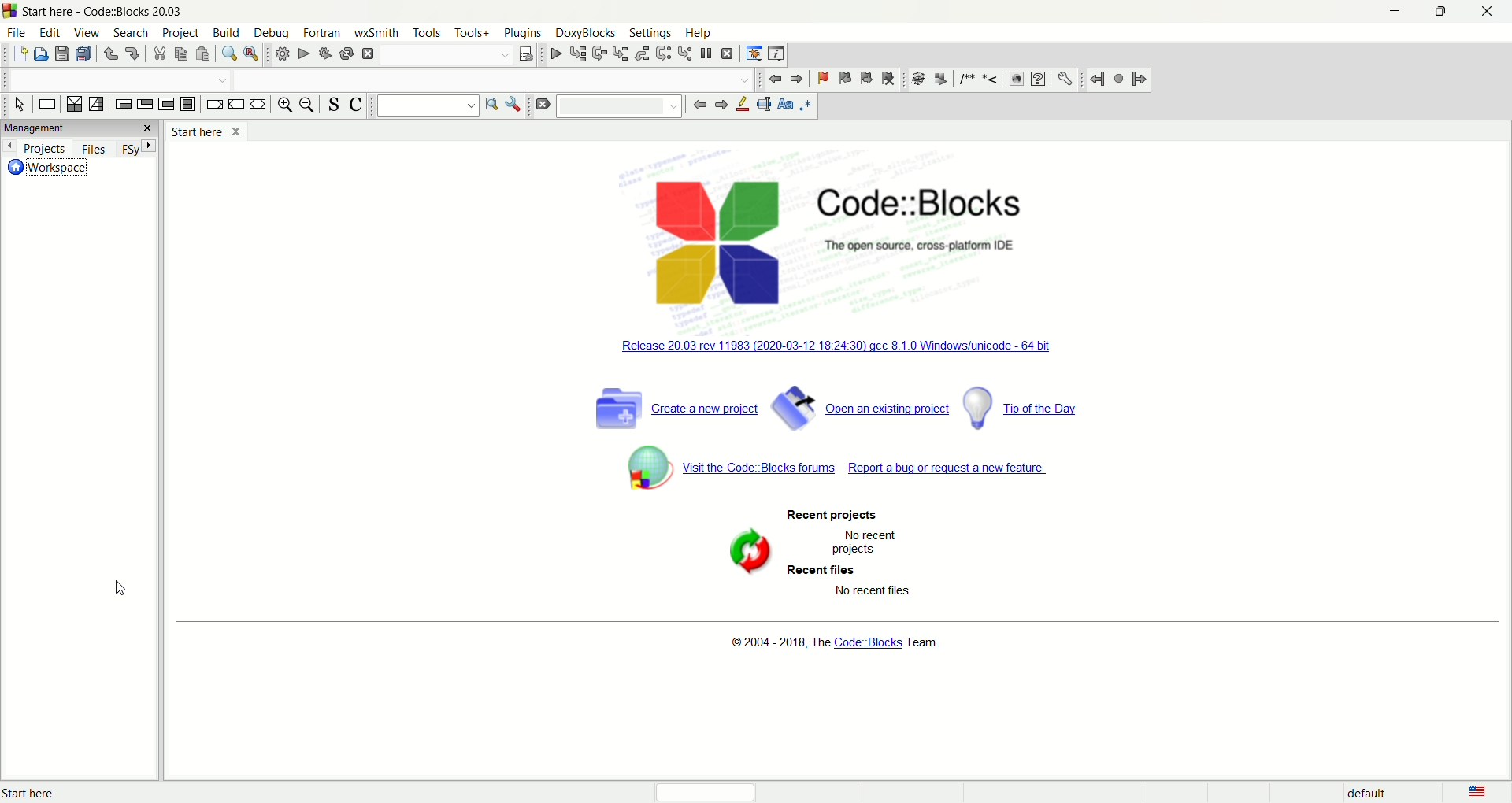 The width and height of the screenshot is (1512, 803). I want to click on toggle source, so click(334, 105).